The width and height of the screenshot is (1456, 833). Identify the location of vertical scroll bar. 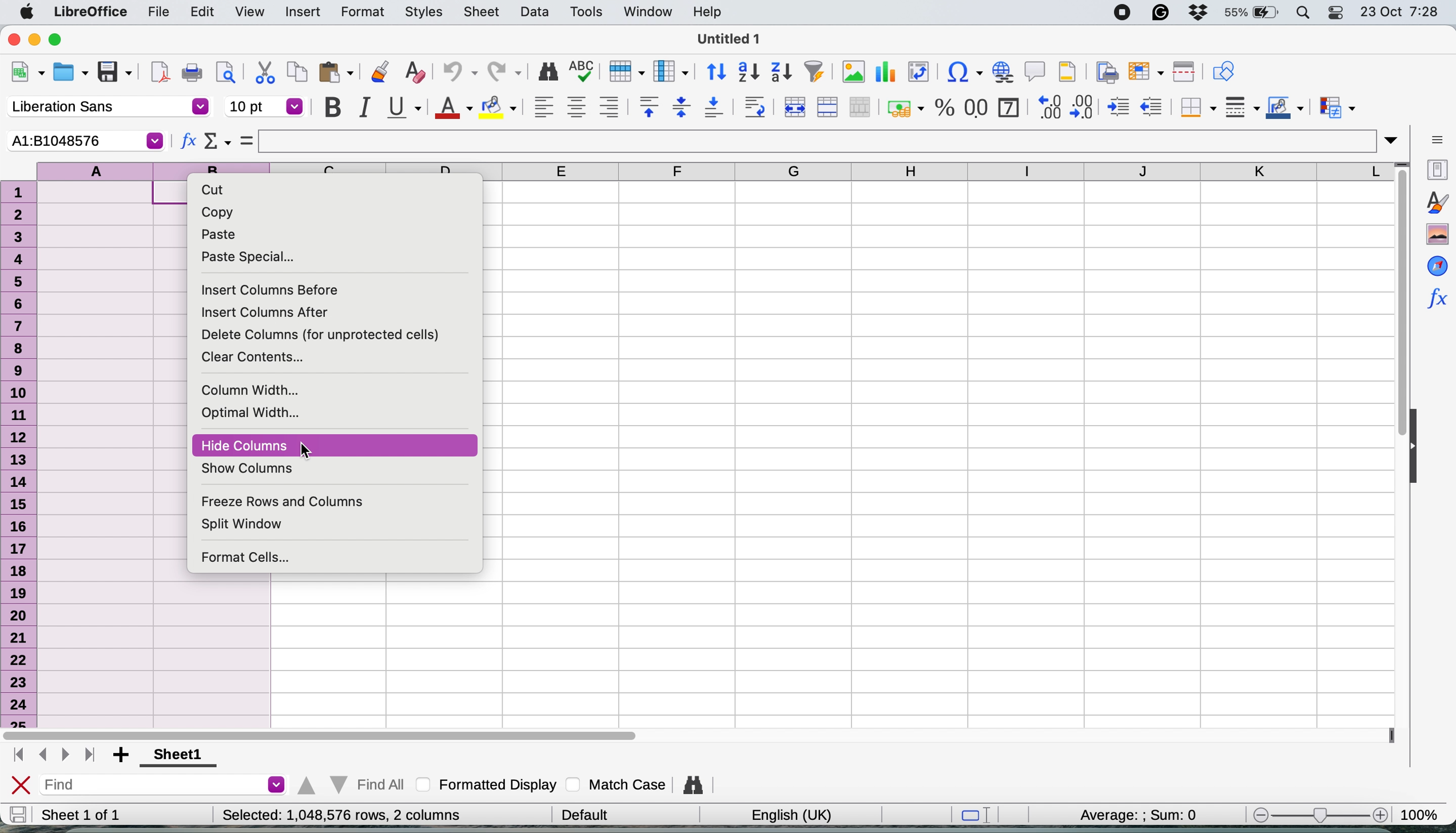
(1400, 297).